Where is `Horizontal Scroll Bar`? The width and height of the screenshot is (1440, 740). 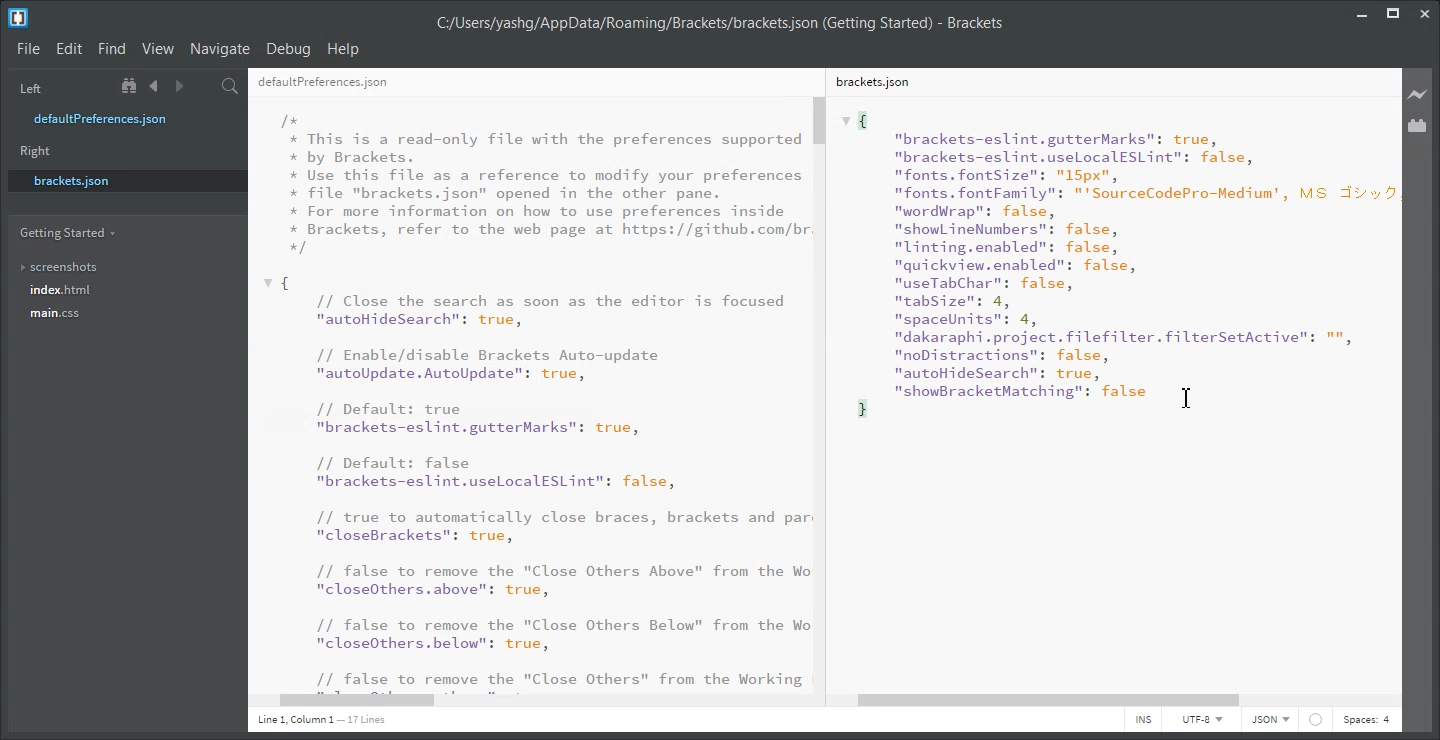 Horizontal Scroll Bar is located at coordinates (1116, 701).